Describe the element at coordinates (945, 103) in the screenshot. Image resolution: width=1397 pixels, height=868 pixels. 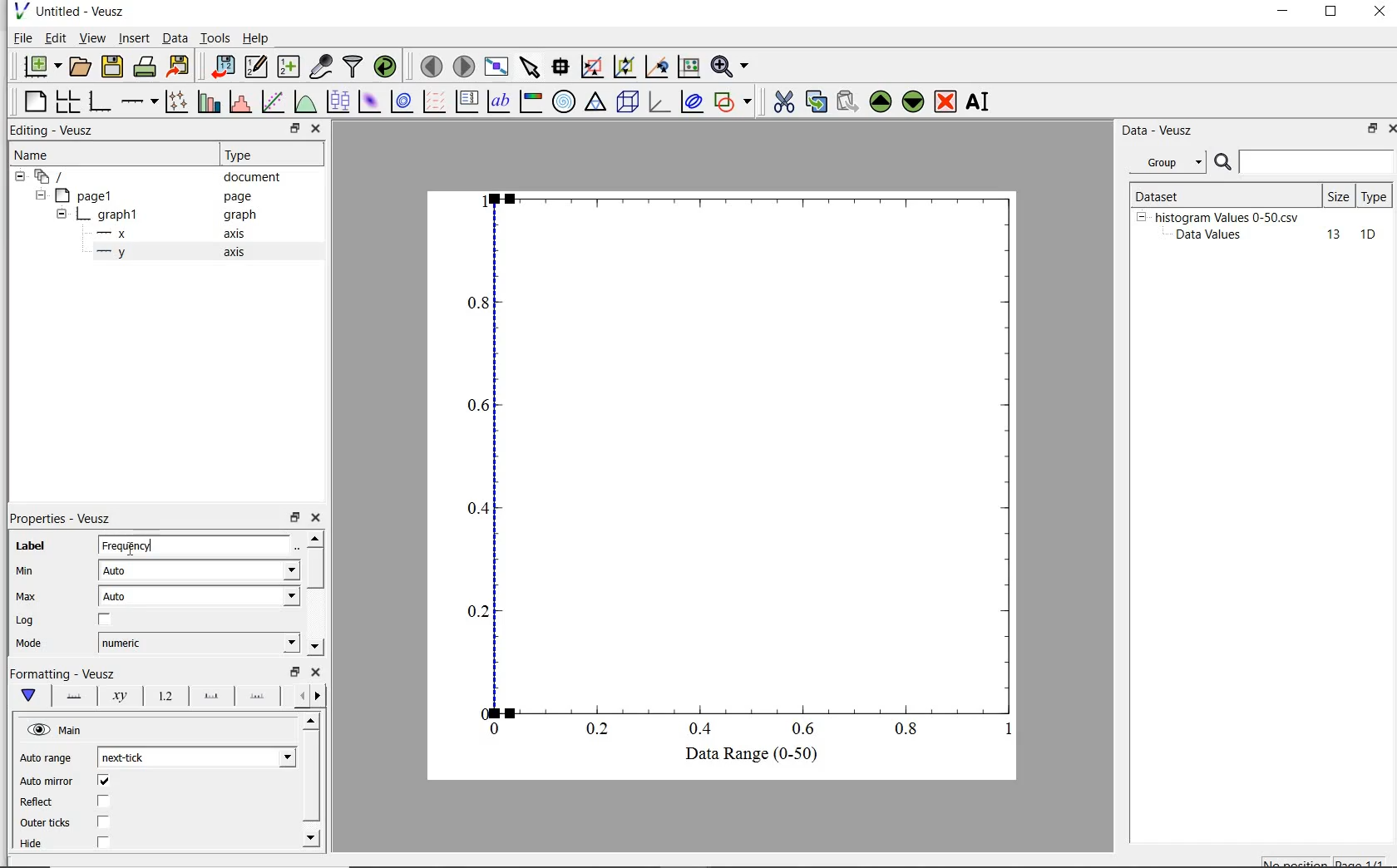
I see `remove the selected widget` at that location.